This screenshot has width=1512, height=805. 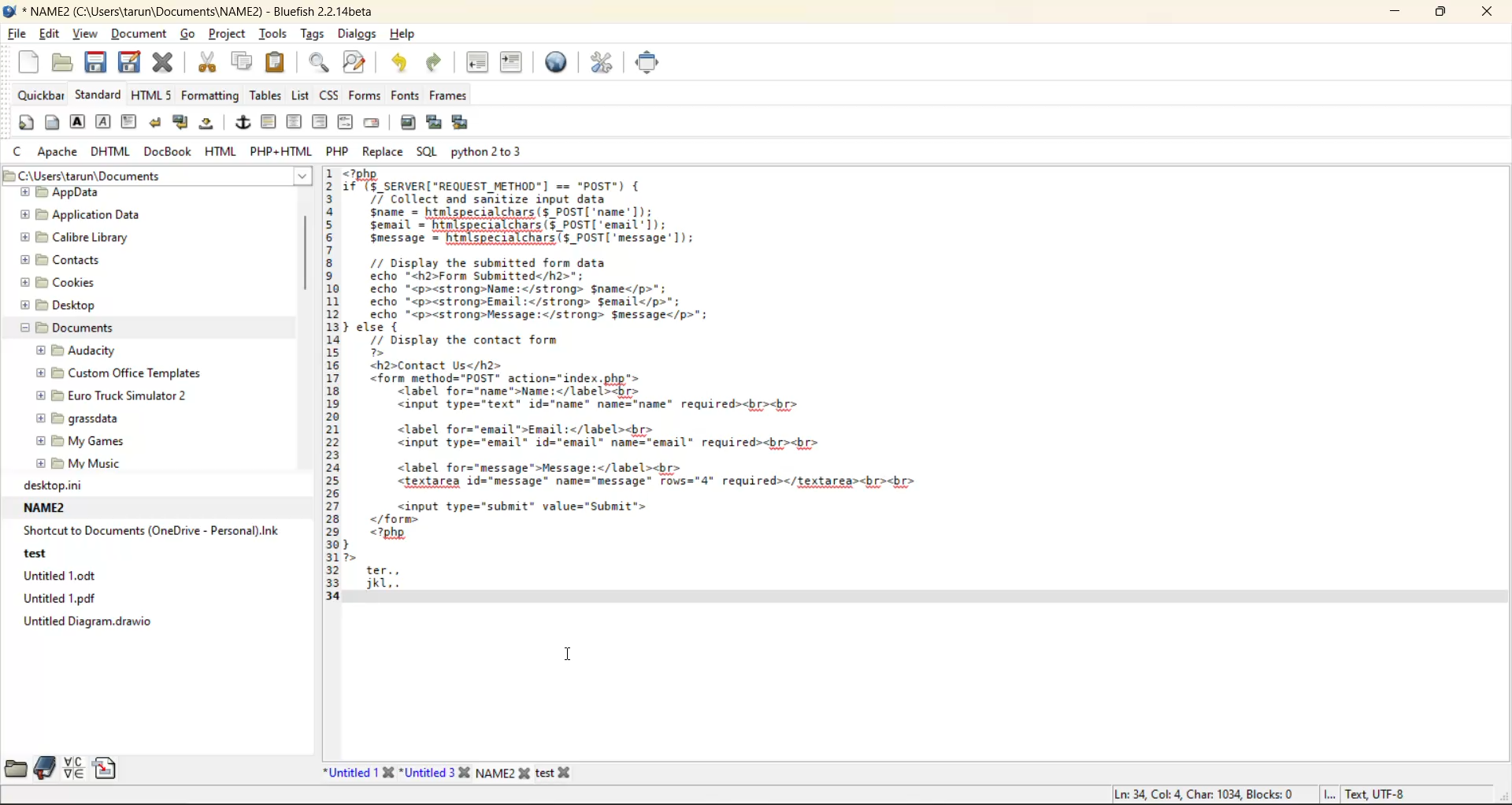 I want to click on Application Data, so click(x=80, y=216).